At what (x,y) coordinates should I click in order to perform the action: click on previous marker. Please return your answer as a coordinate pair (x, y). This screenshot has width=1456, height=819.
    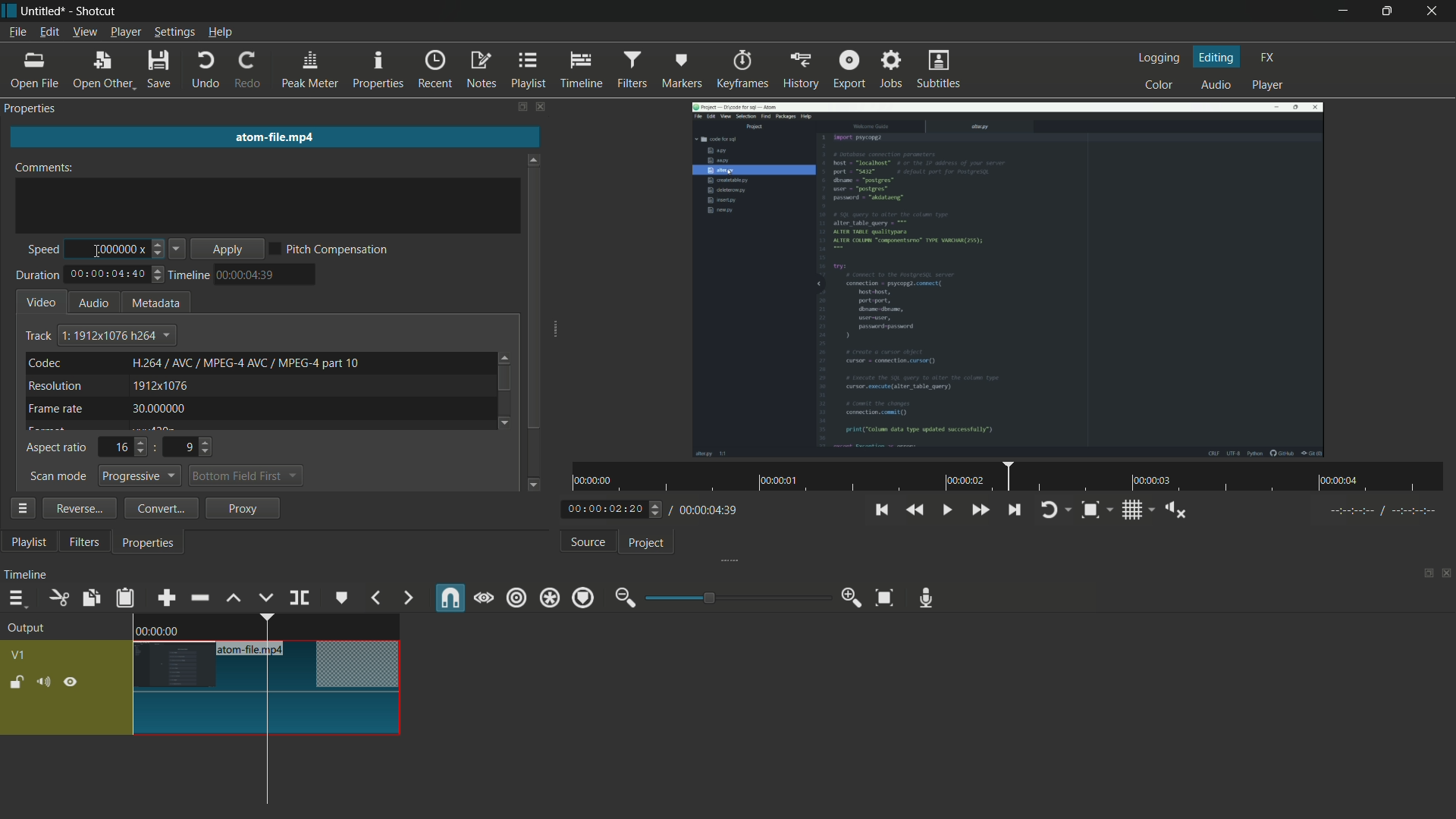
    Looking at the image, I should click on (375, 599).